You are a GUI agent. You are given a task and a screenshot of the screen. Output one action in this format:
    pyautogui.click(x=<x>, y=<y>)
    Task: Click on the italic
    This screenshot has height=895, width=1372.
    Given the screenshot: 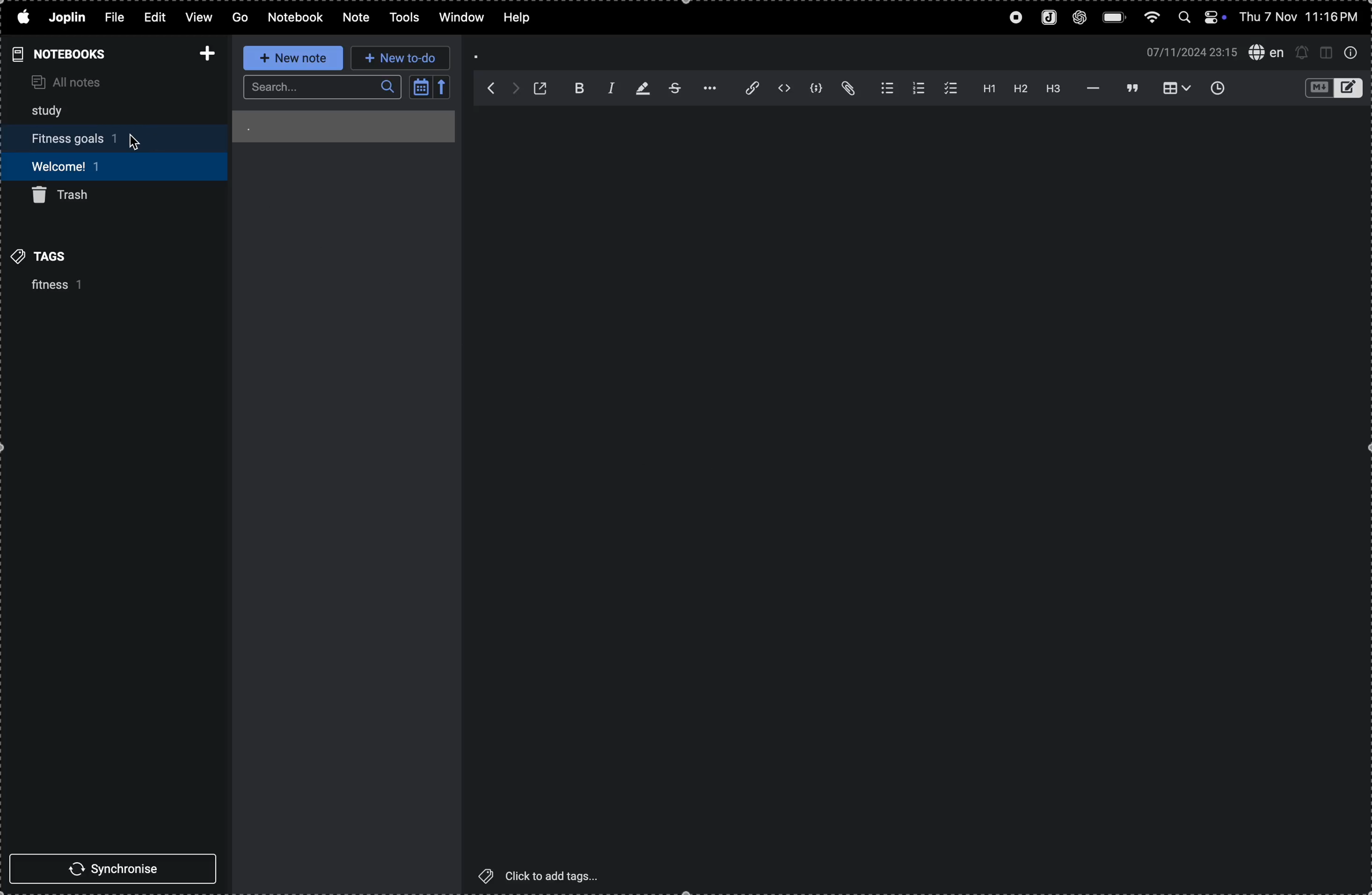 What is the action you would take?
    pyautogui.click(x=604, y=89)
    